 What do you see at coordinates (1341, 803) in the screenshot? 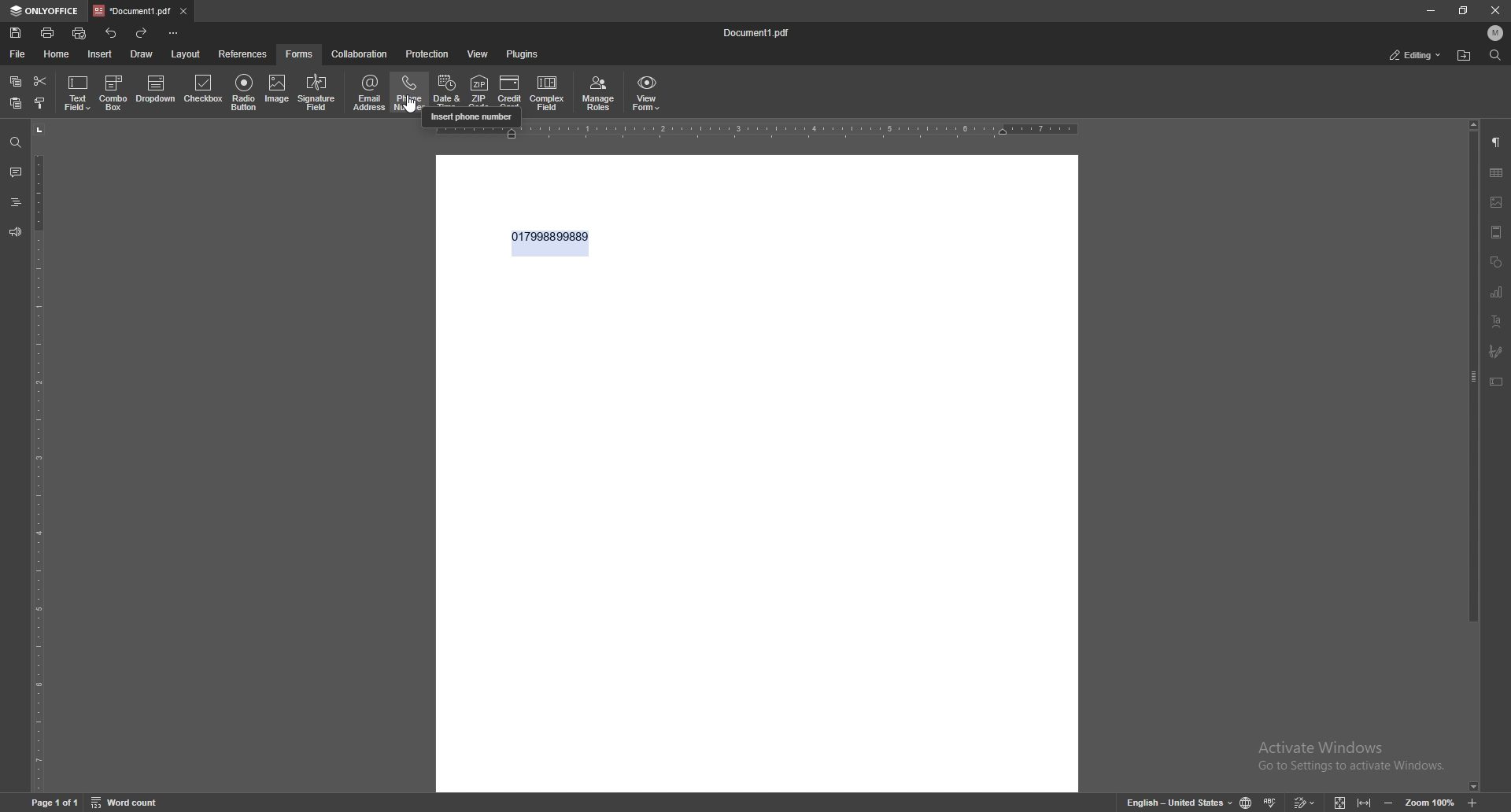
I see `fit to screen` at bounding box center [1341, 803].